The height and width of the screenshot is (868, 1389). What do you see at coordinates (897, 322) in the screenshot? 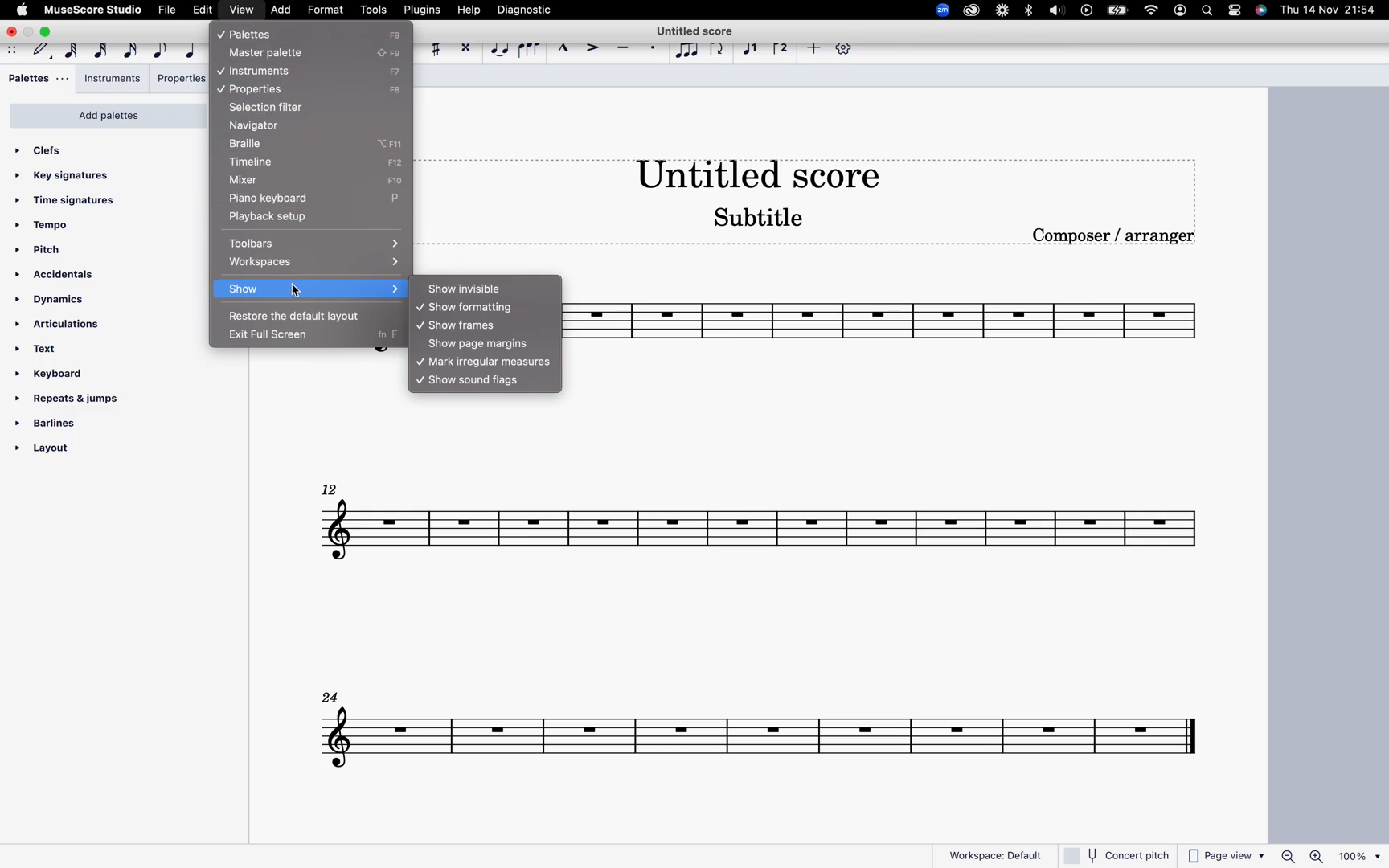
I see `score` at bounding box center [897, 322].